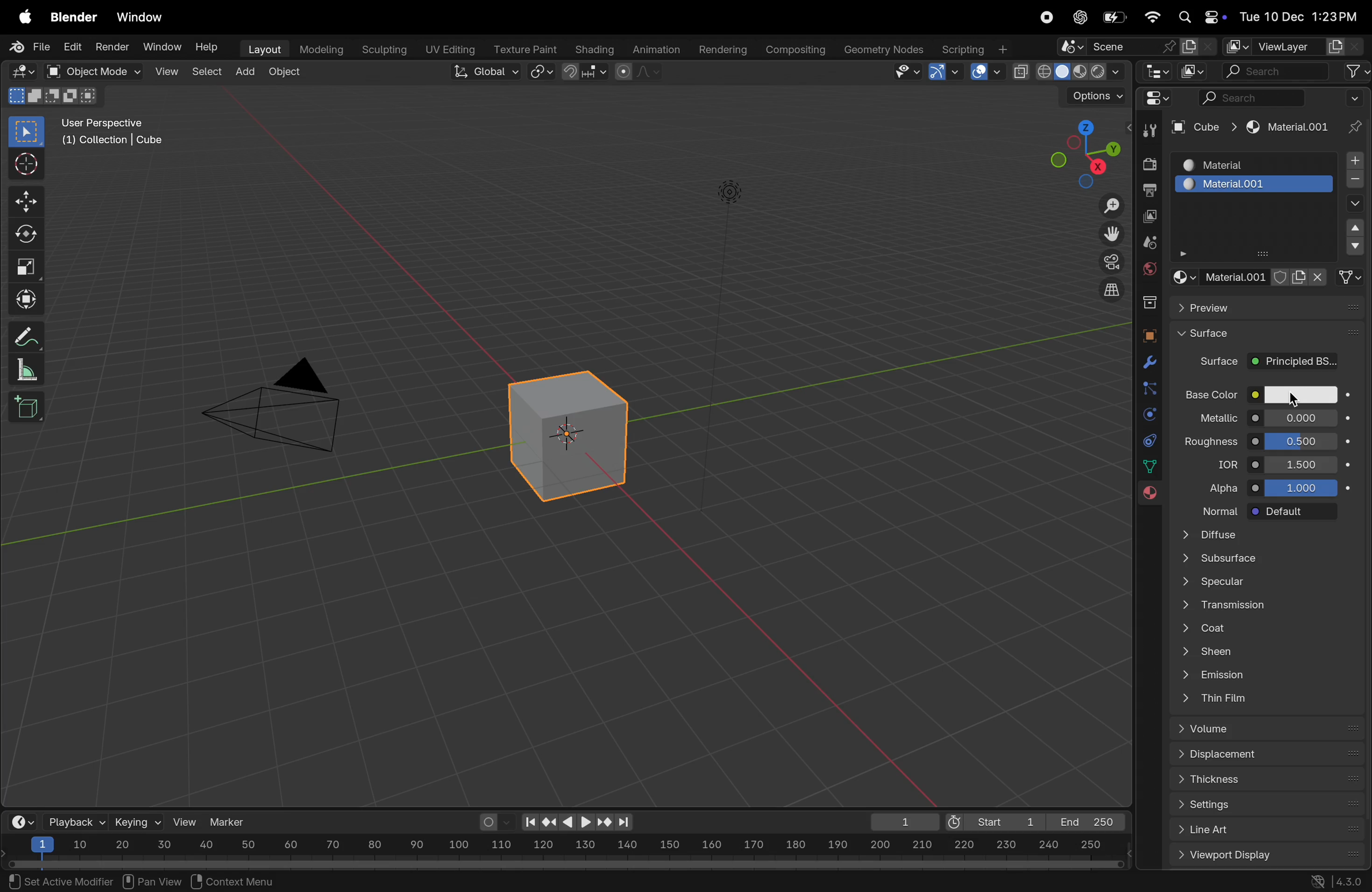 This screenshot has width=1372, height=892. What do you see at coordinates (1302, 396) in the screenshot?
I see `color` at bounding box center [1302, 396].